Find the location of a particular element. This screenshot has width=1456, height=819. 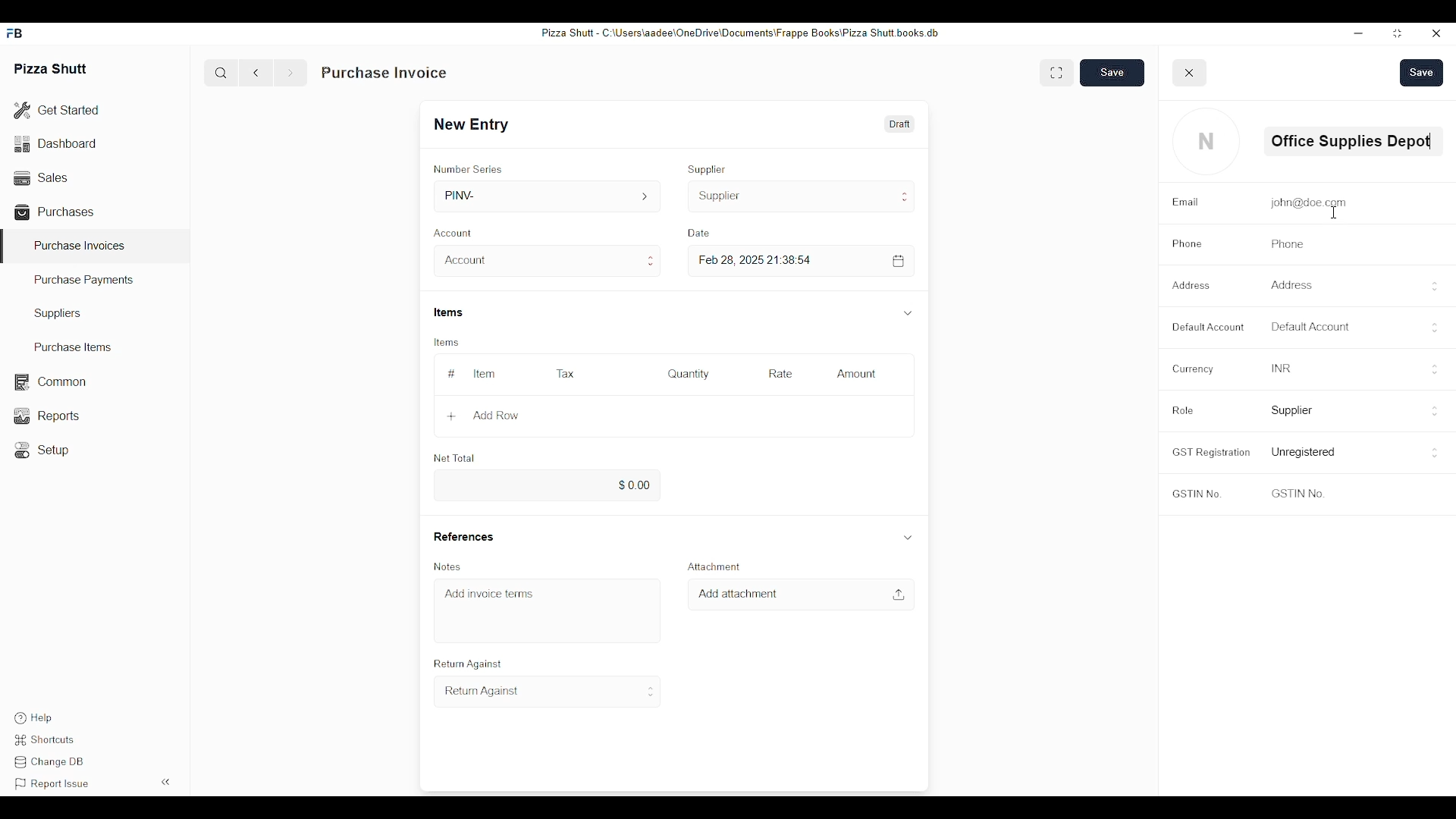

Email is located at coordinates (1185, 202).